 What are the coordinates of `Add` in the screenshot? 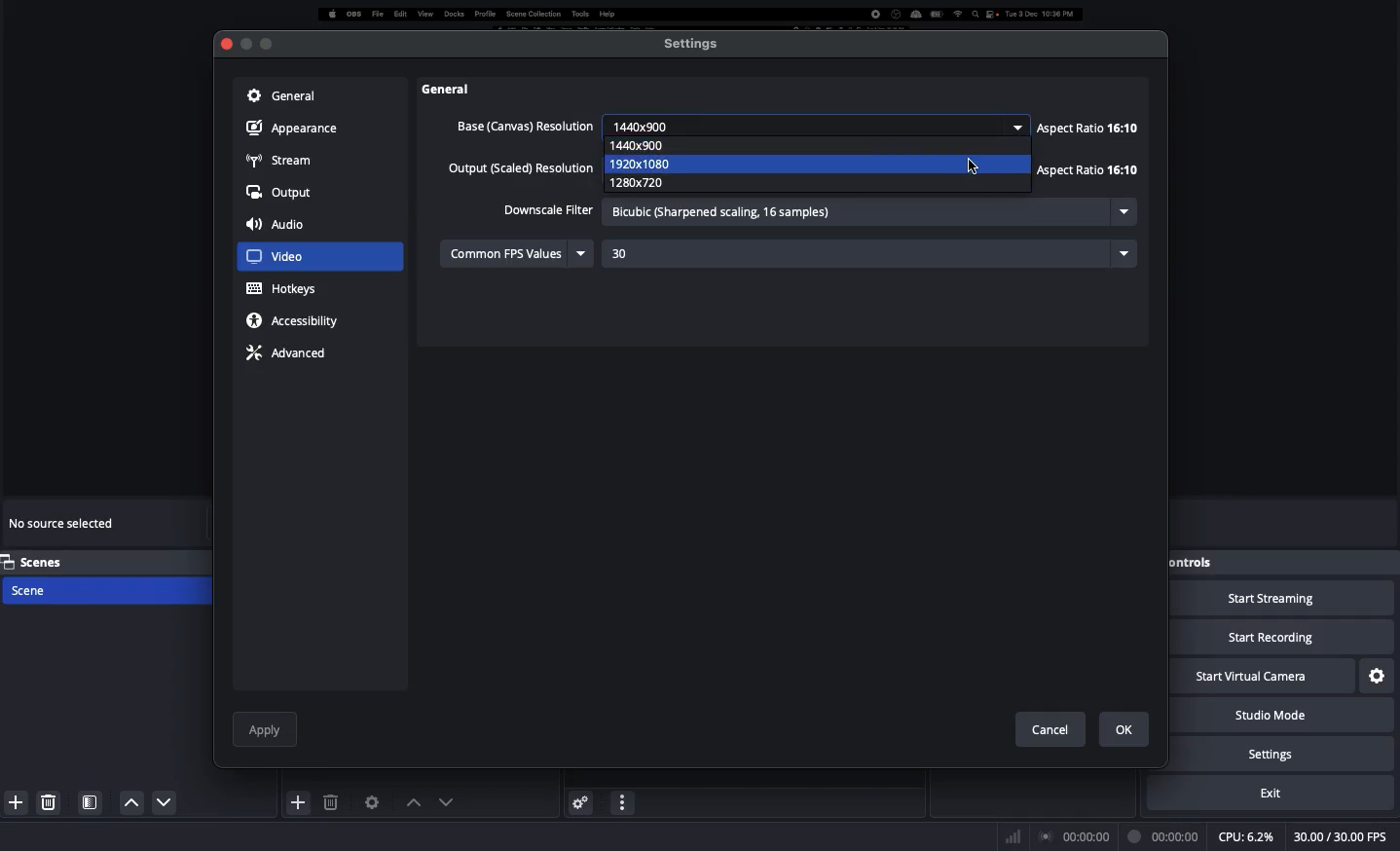 It's located at (299, 801).